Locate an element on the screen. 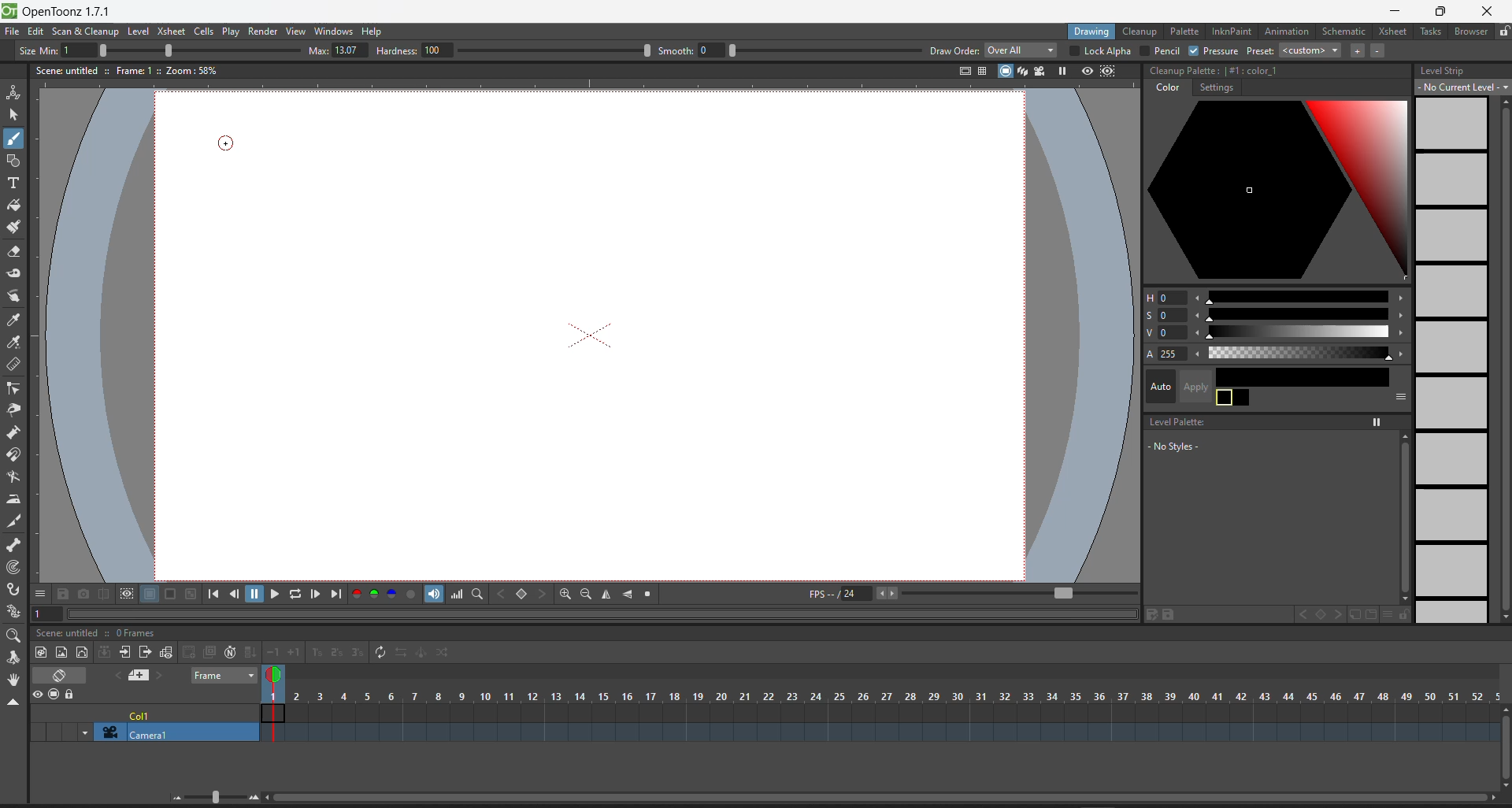 The width and height of the screenshot is (1512, 808). zoom out is located at coordinates (585, 595).